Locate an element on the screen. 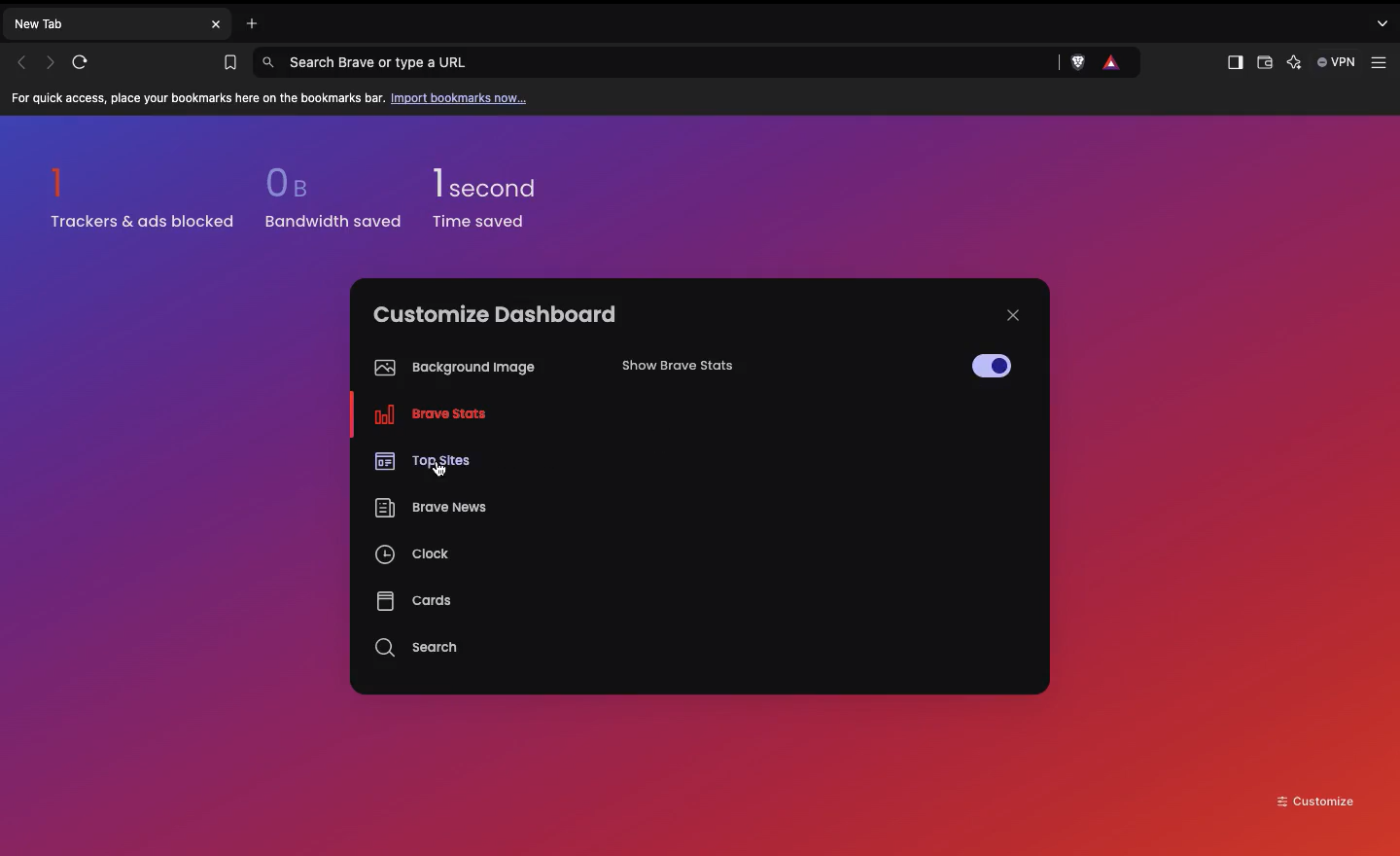 Image resolution: width=1400 pixels, height=856 pixels. Search Brave or type a URL is located at coordinates (657, 61).